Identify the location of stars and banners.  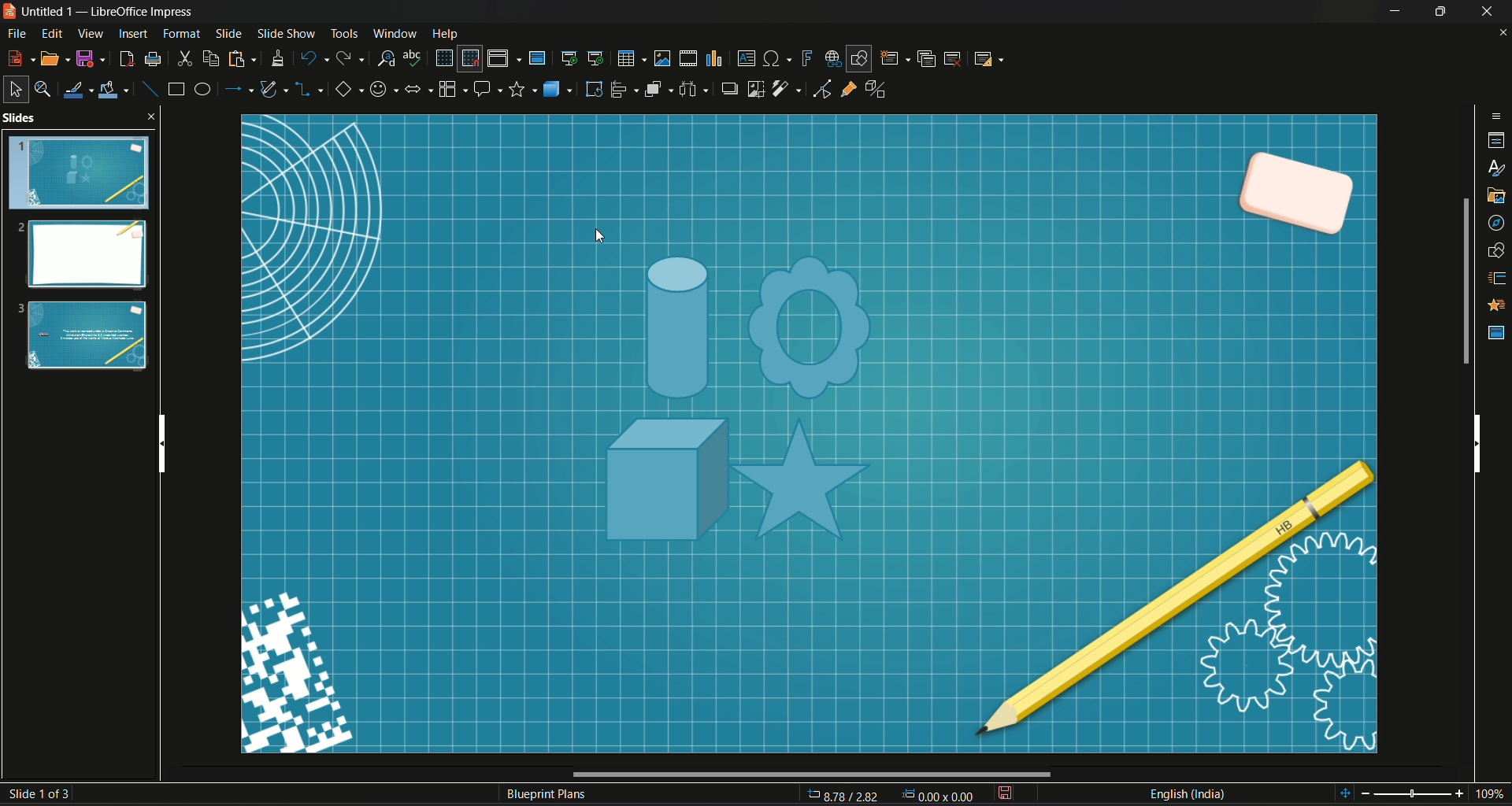
(522, 90).